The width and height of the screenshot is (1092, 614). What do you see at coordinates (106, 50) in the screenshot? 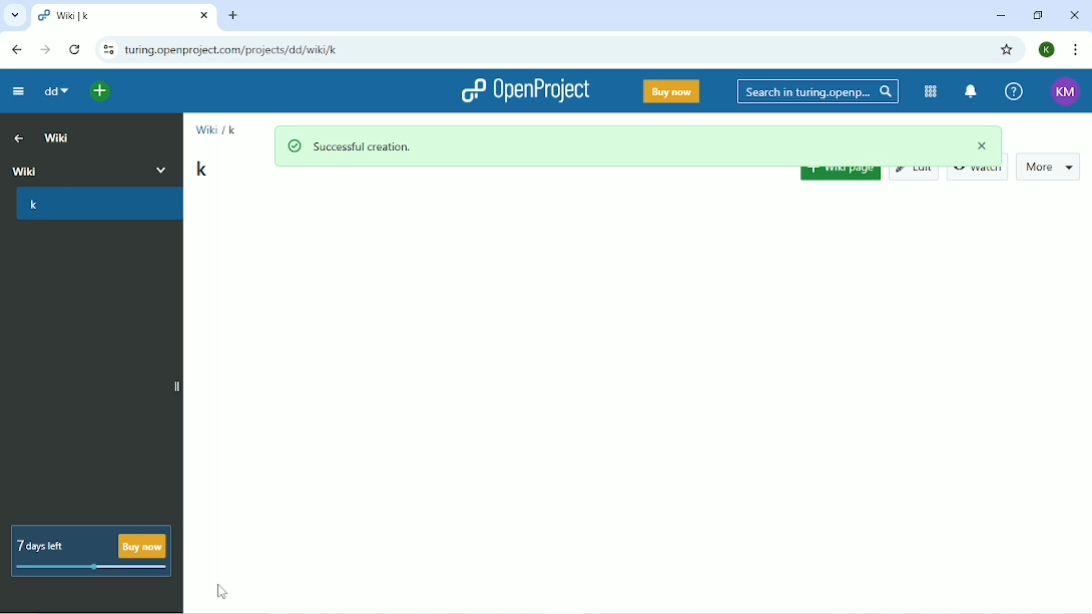
I see `View site information` at bounding box center [106, 50].